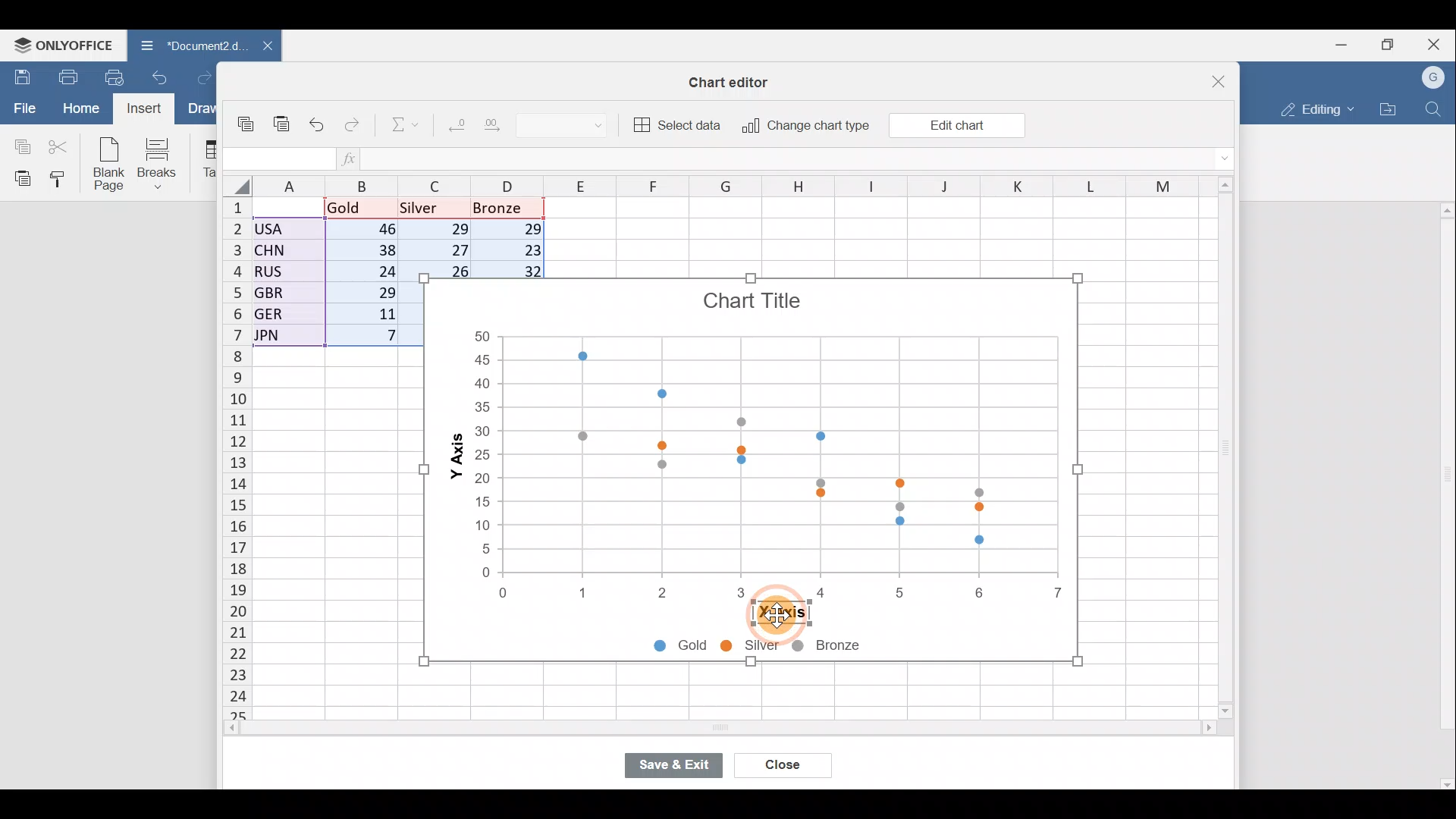 This screenshot has height=819, width=1456. Describe the element at coordinates (23, 106) in the screenshot. I see `File` at that location.